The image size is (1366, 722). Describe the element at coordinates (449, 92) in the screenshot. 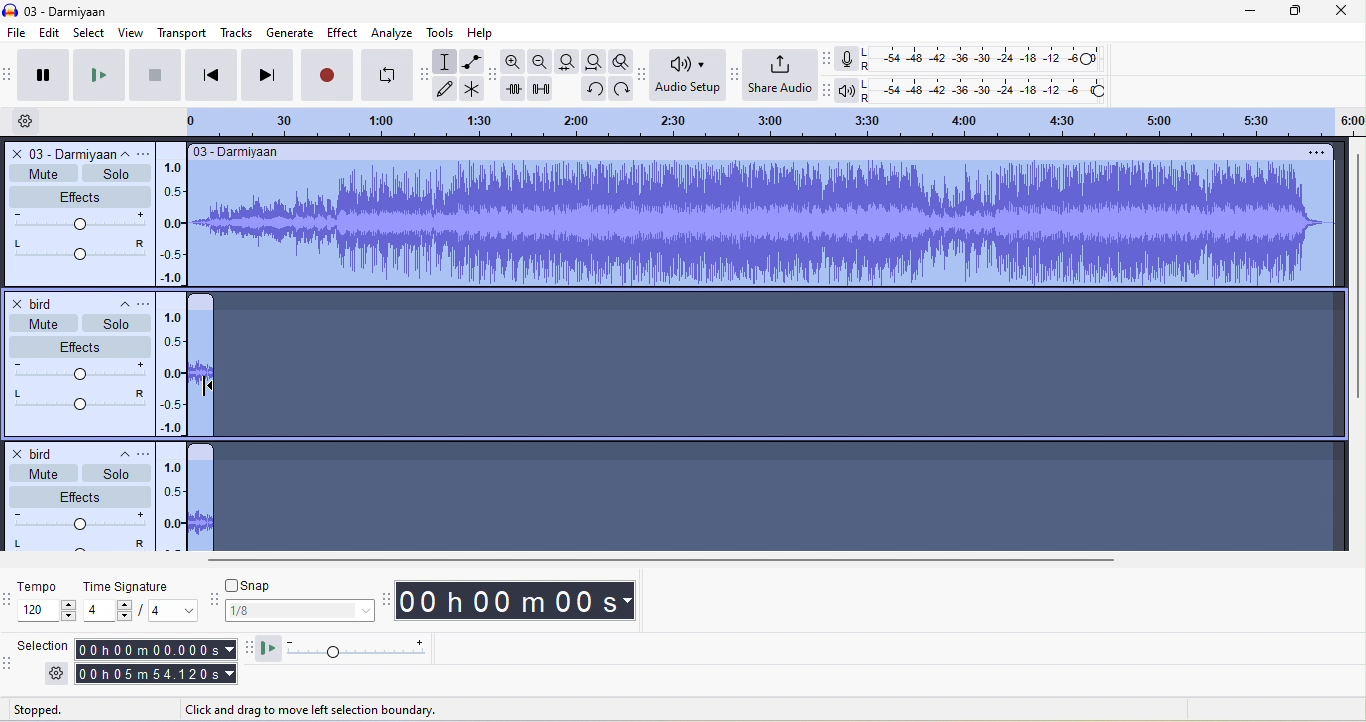

I see `draw tool` at that location.